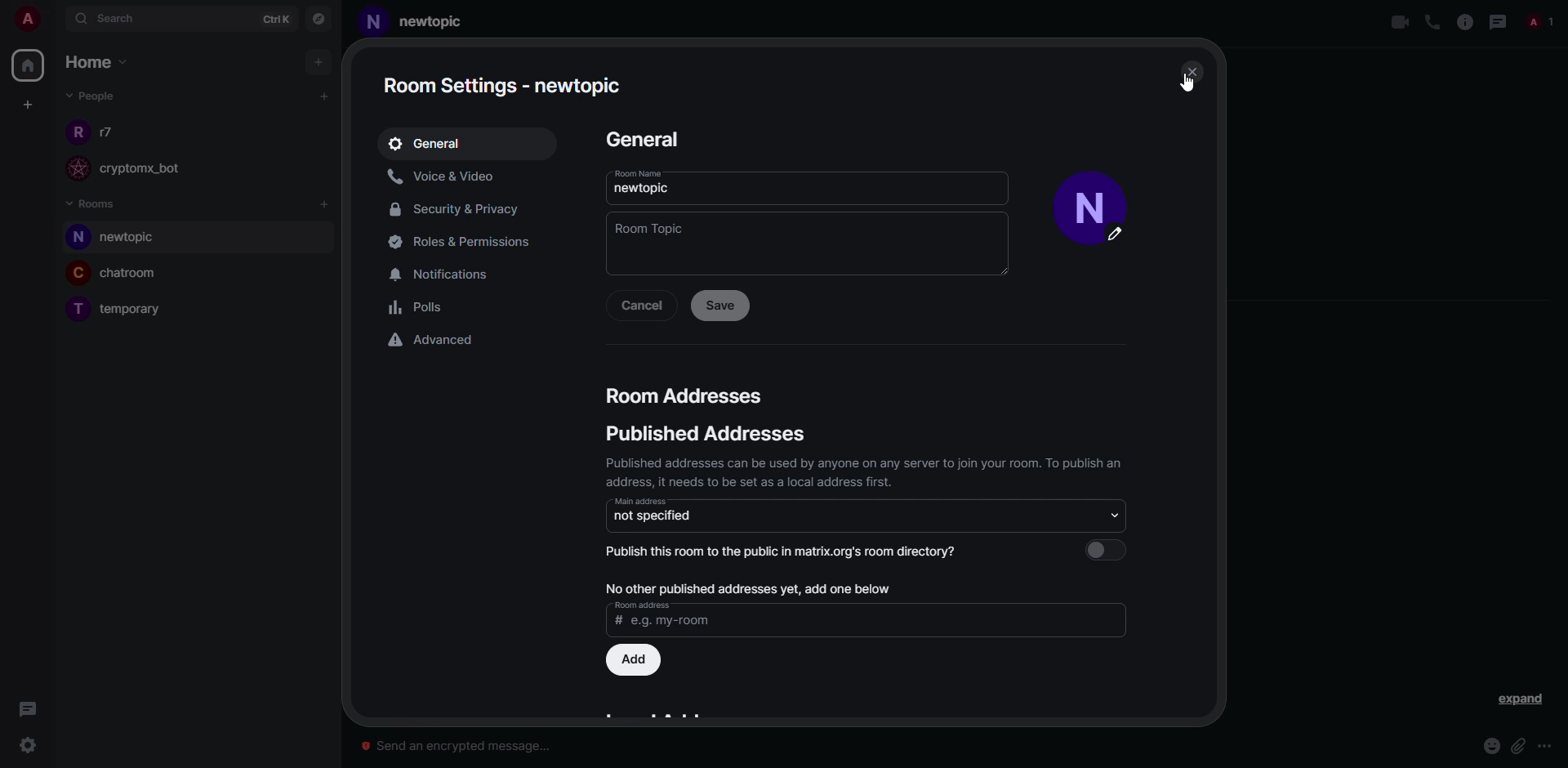  Describe the element at coordinates (1491, 746) in the screenshot. I see `emoji` at that location.